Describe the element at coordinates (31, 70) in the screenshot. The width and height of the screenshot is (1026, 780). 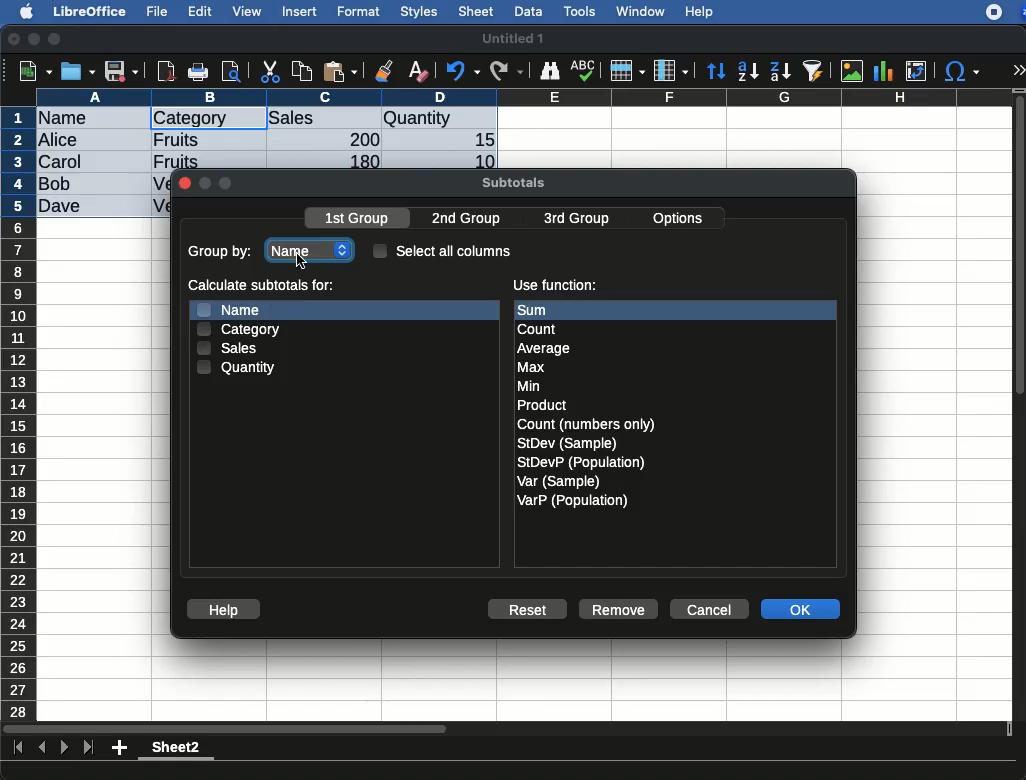
I see `new` at that location.